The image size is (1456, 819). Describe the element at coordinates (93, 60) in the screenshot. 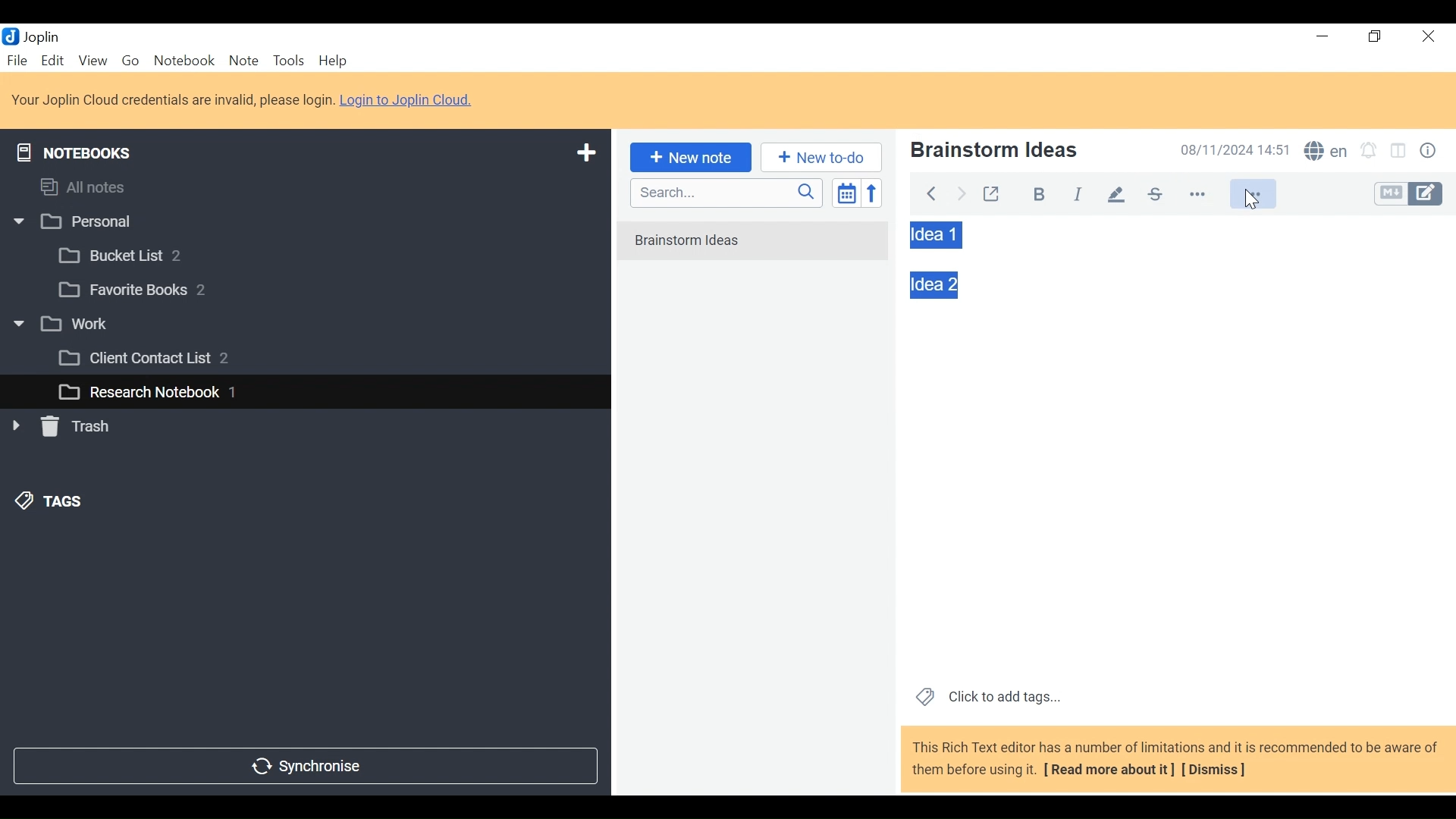

I see `View` at that location.